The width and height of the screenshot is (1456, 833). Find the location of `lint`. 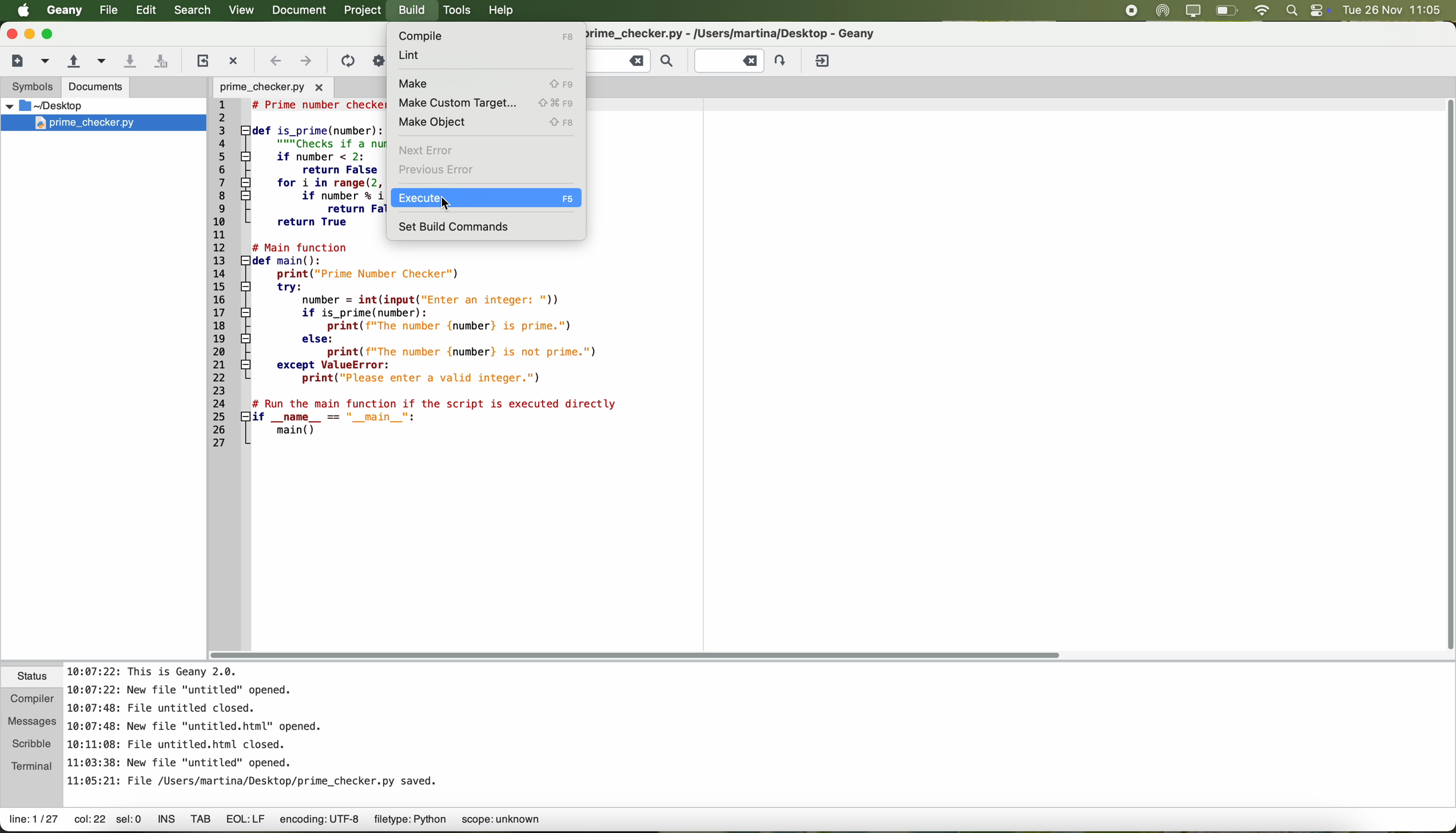

lint is located at coordinates (419, 56).